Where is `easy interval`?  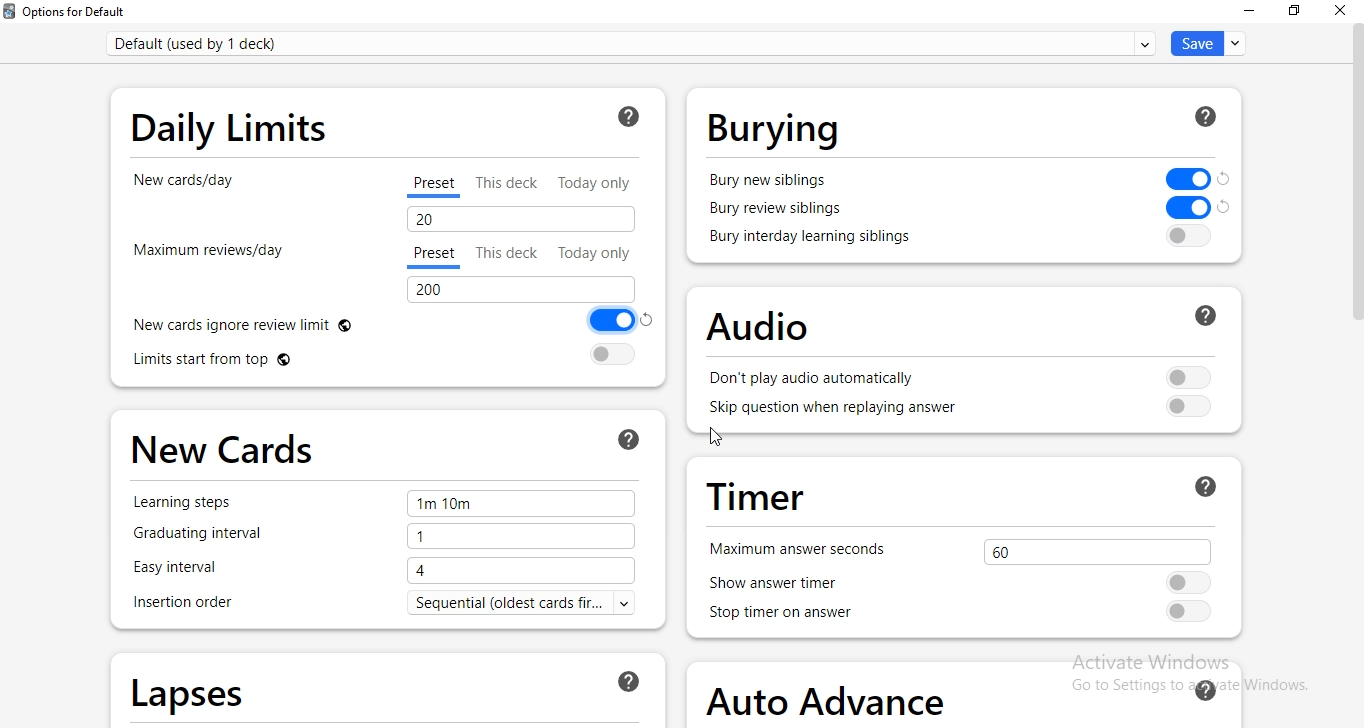 easy interval is located at coordinates (192, 568).